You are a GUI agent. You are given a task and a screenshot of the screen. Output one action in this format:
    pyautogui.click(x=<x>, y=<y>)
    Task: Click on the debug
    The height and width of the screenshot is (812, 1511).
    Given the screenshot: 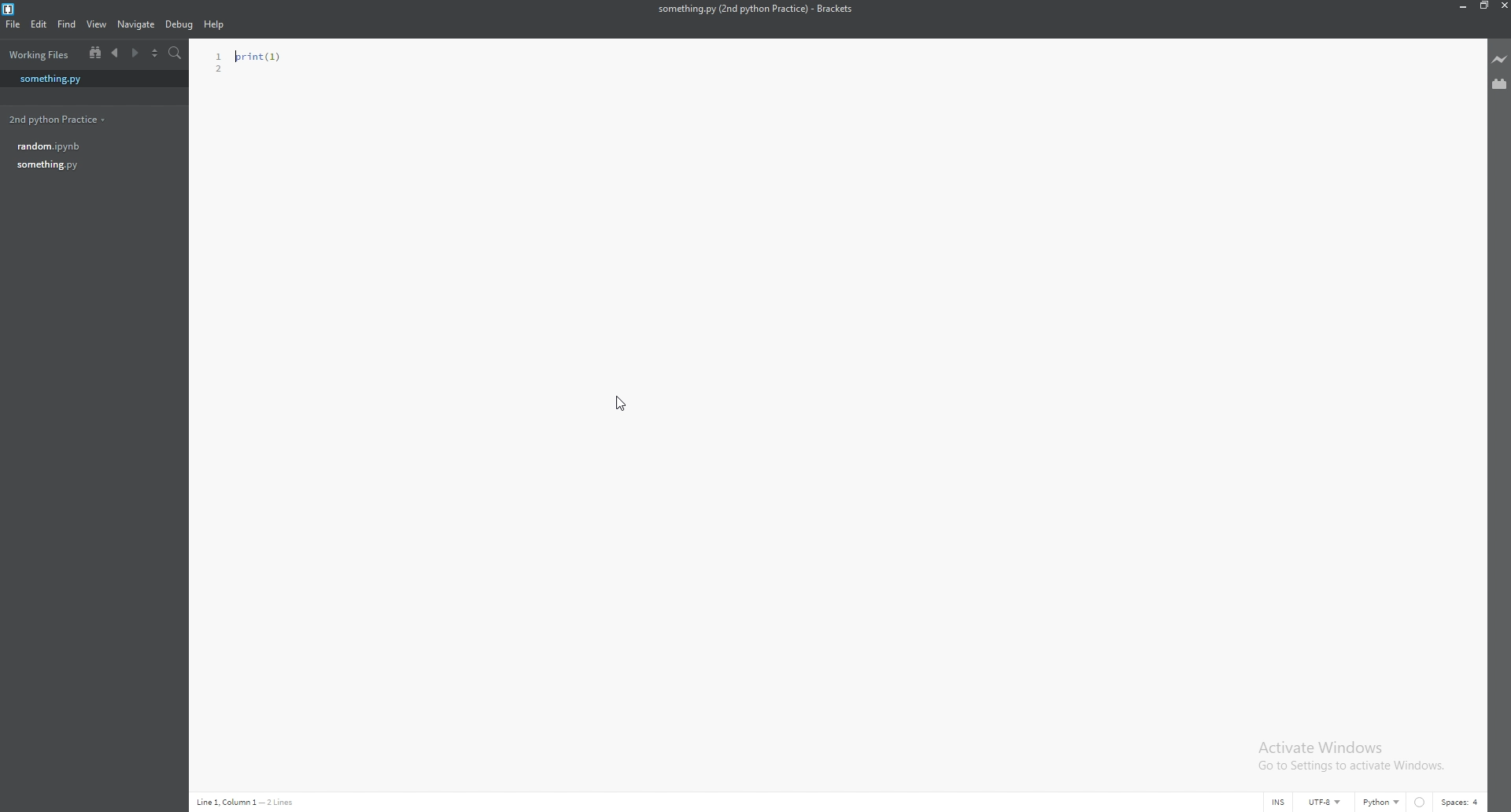 What is the action you would take?
    pyautogui.click(x=180, y=24)
    